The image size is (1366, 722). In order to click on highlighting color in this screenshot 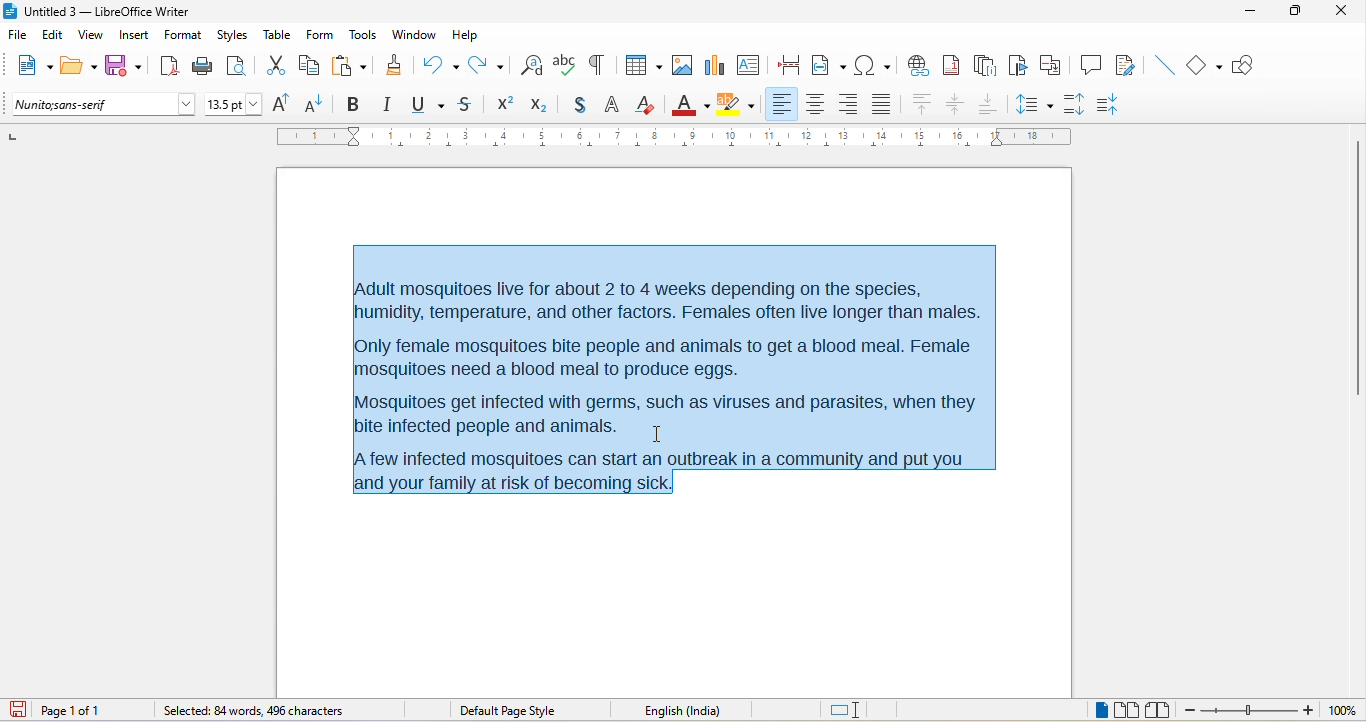, I will do `click(736, 105)`.